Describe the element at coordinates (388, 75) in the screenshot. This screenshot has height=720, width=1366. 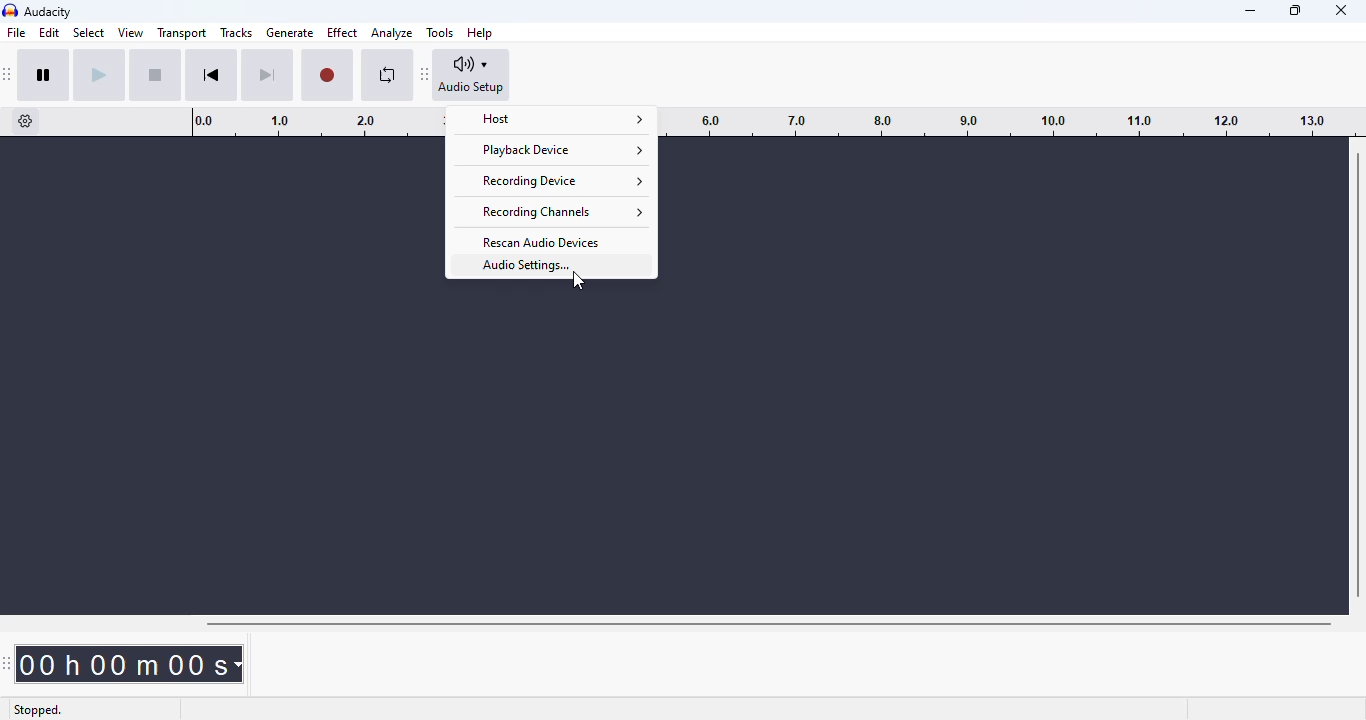
I see `enable looping` at that location.